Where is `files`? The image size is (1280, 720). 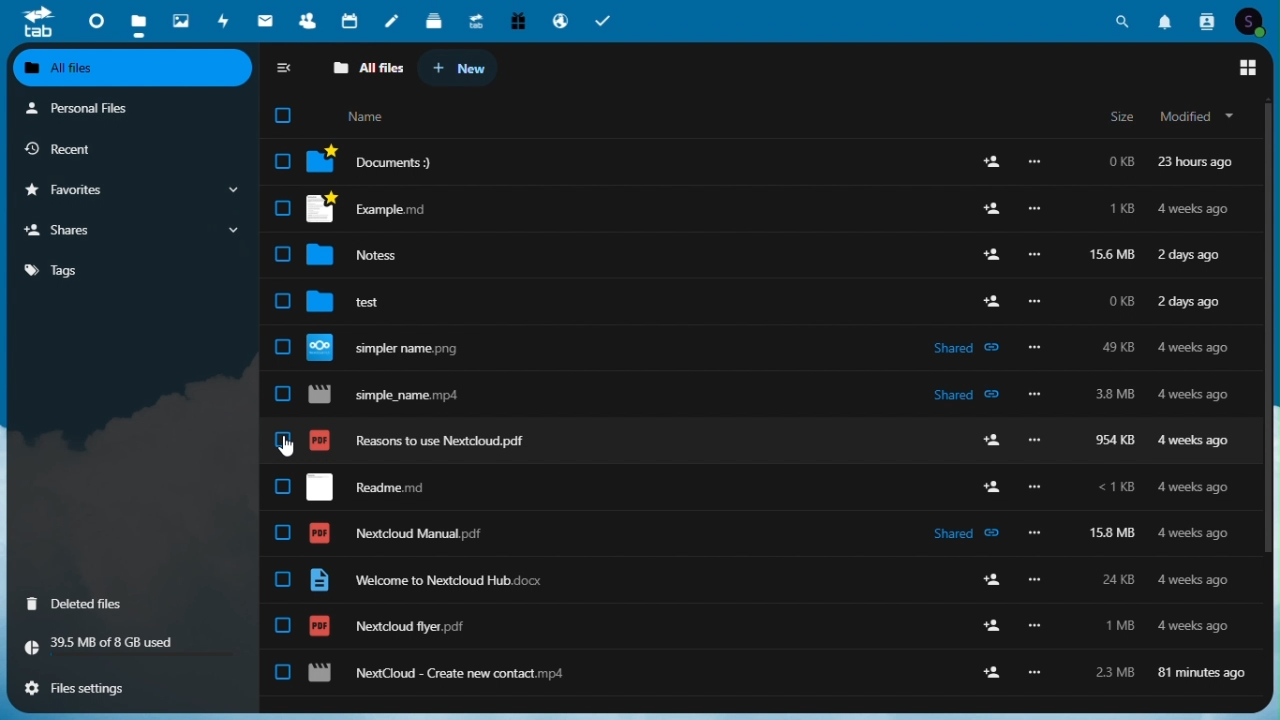
files is located at coordinates (139, 21).